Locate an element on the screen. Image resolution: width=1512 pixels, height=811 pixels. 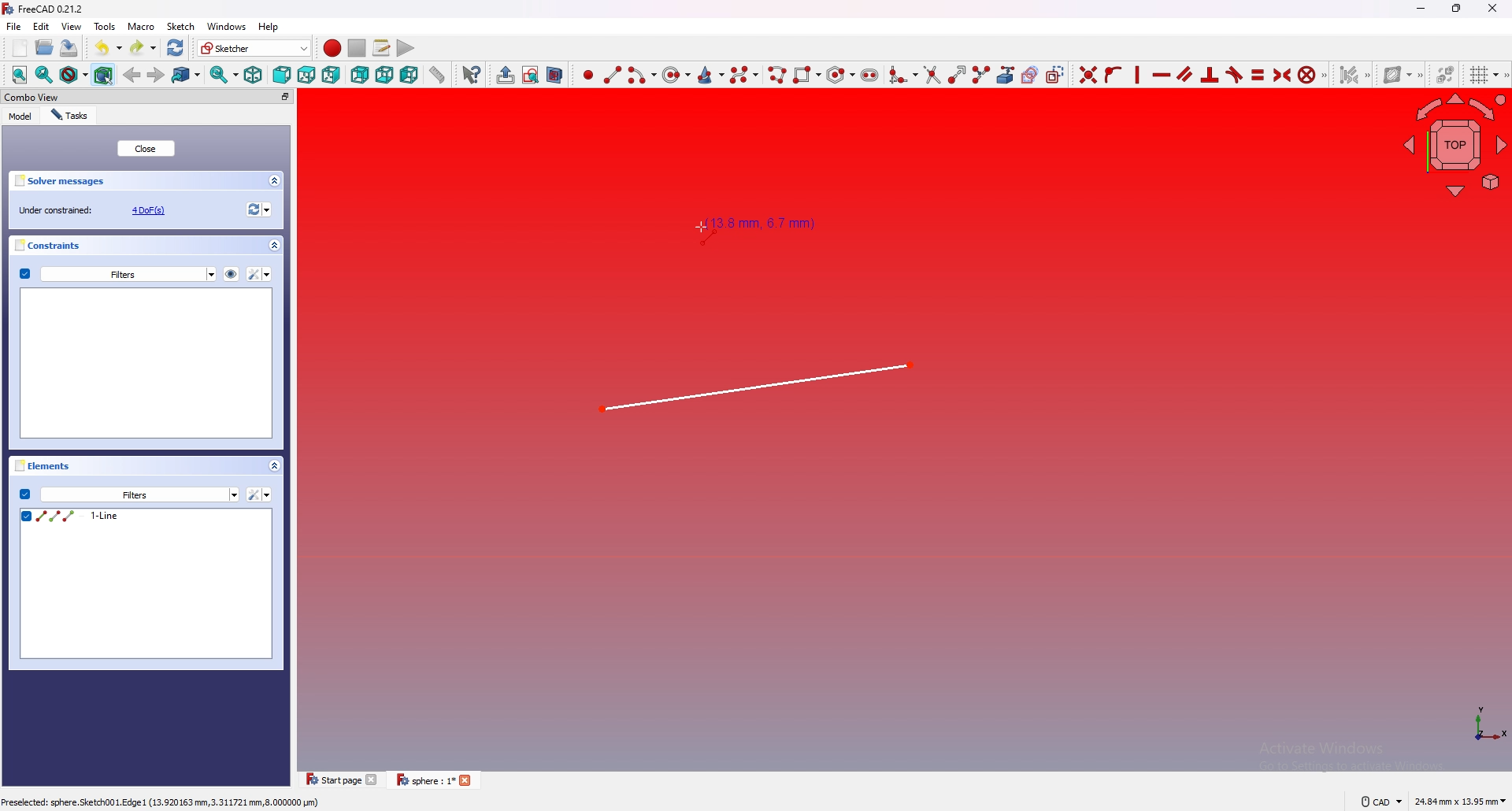
Constrain perpendicular is located at coordinates (1208, 75).